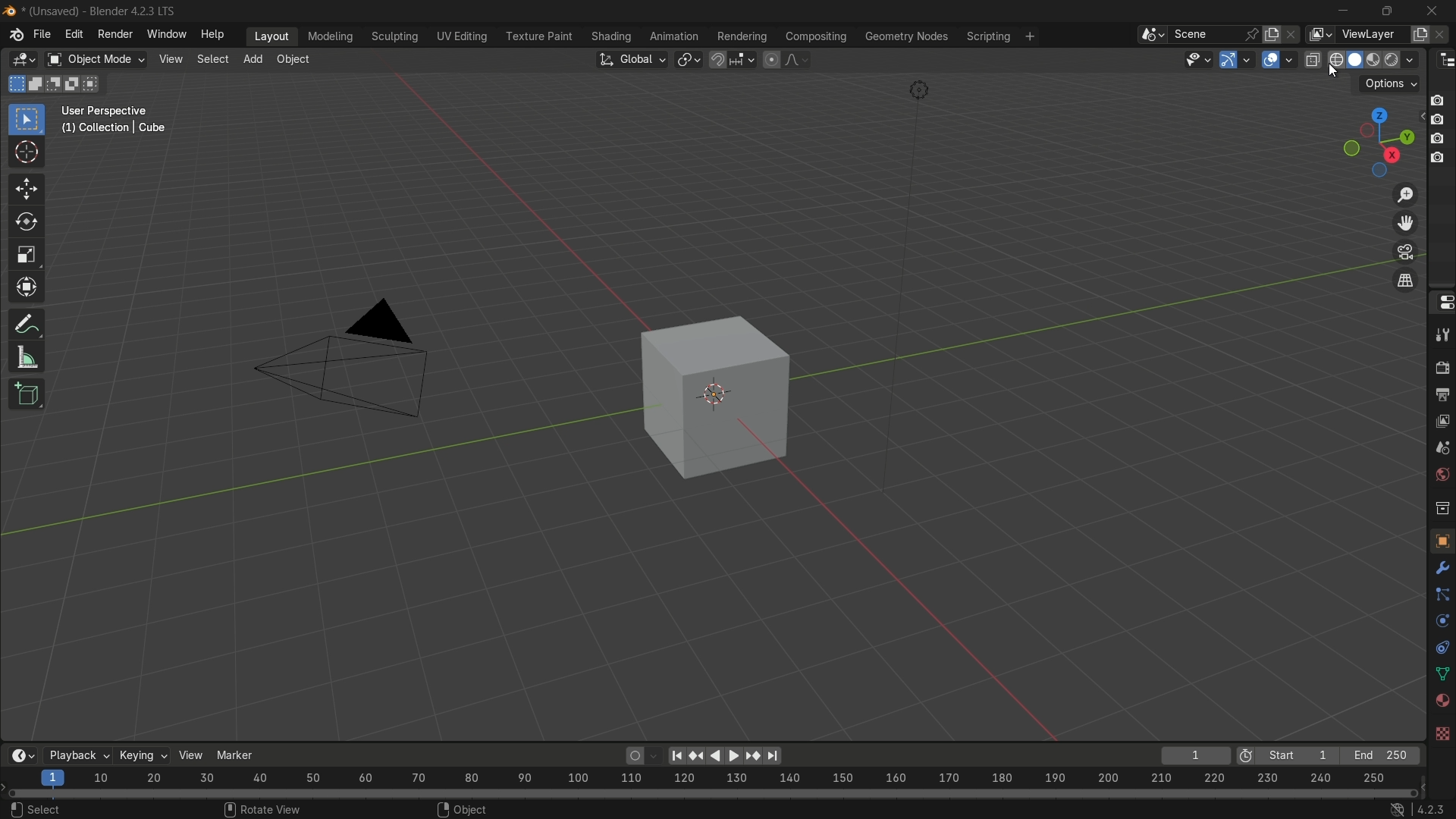  Describe the element at coordinates (1442, 422) in the screenshot. I see `view layer` at that location.